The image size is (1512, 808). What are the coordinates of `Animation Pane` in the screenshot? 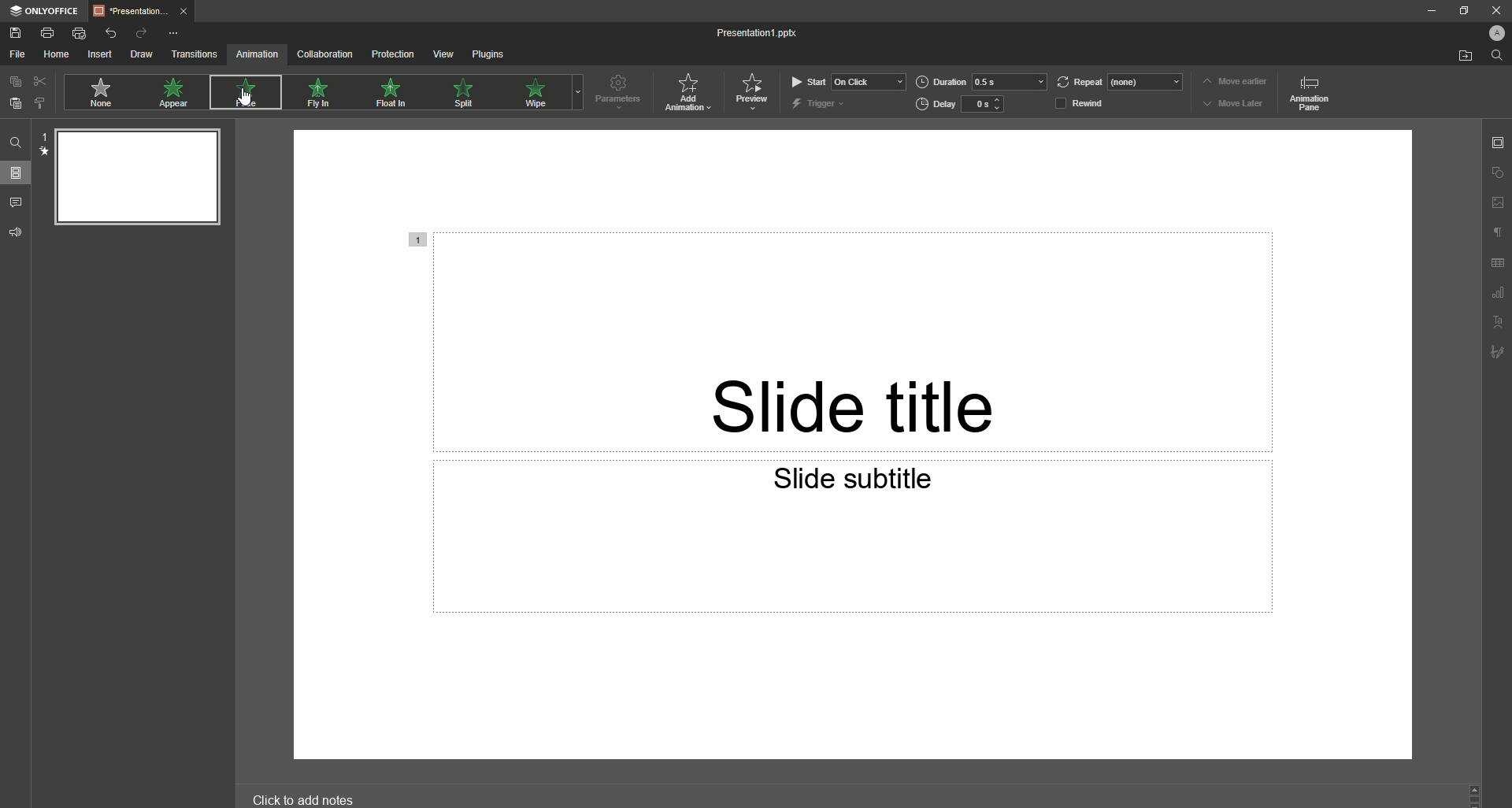 It's located at (1312, 95).